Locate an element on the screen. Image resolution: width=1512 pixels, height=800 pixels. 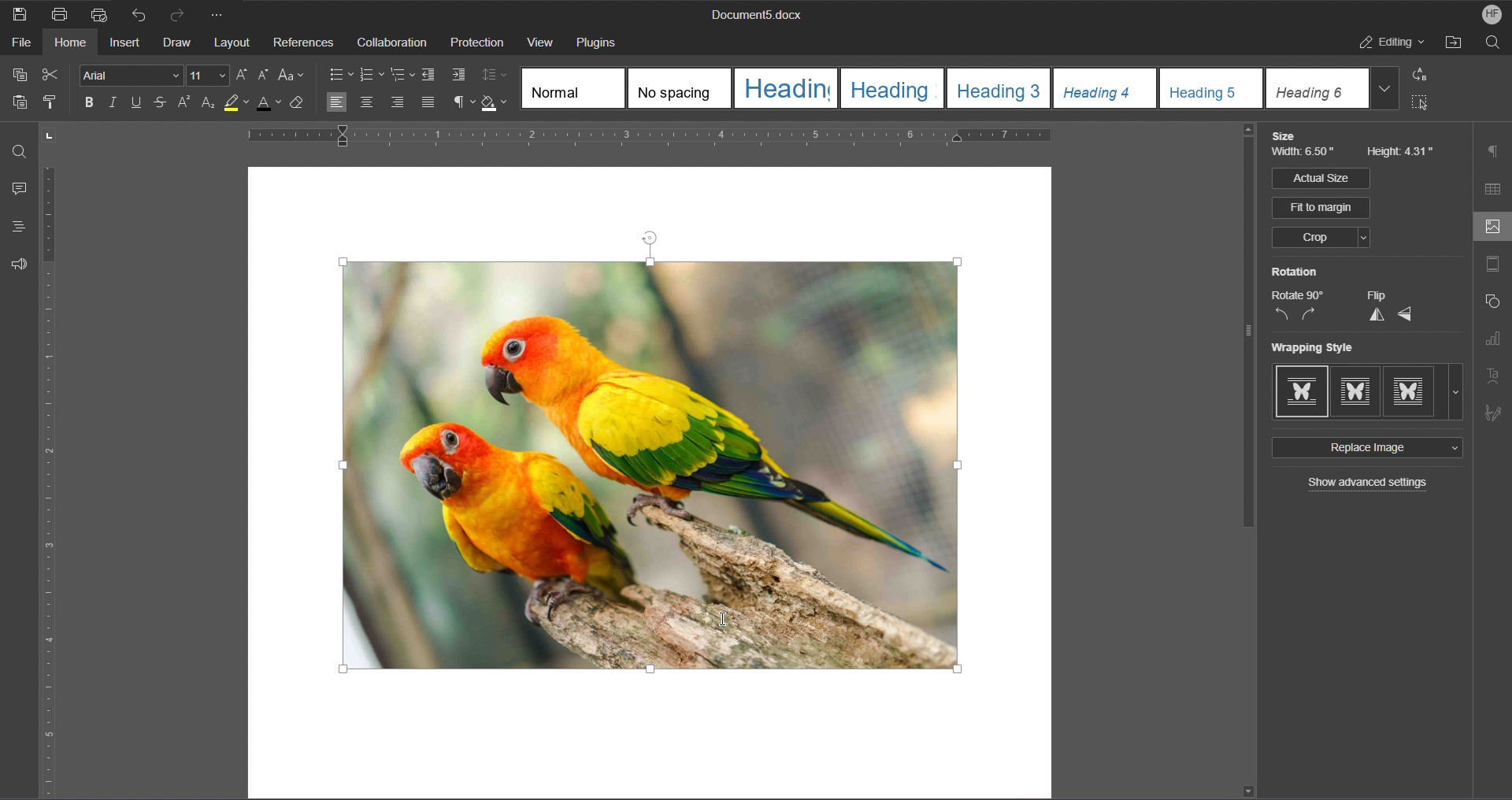
View is located at coordinates (540, 41).